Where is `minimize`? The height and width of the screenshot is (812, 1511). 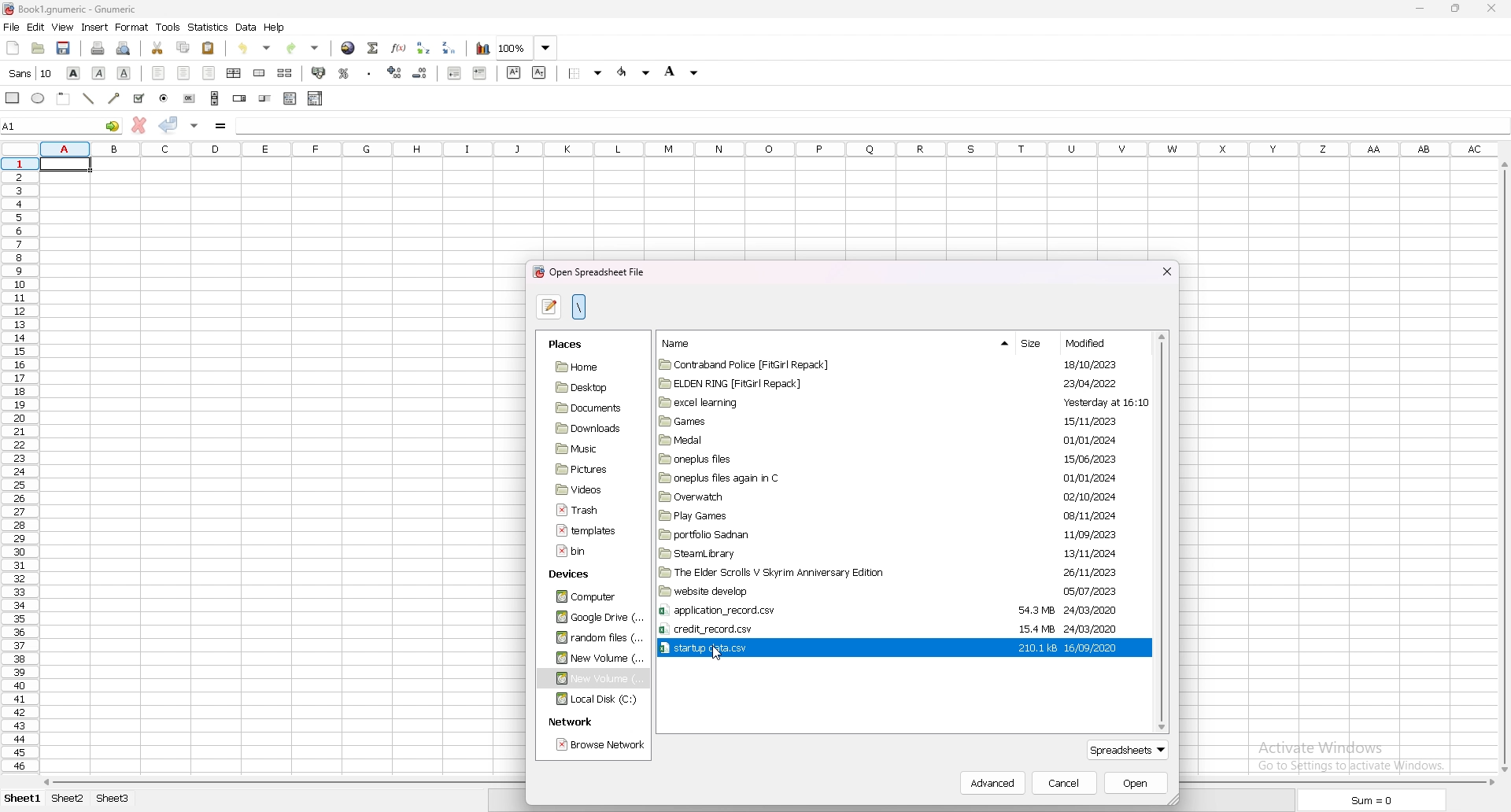
minimize is located at coordinates (1420, 8).